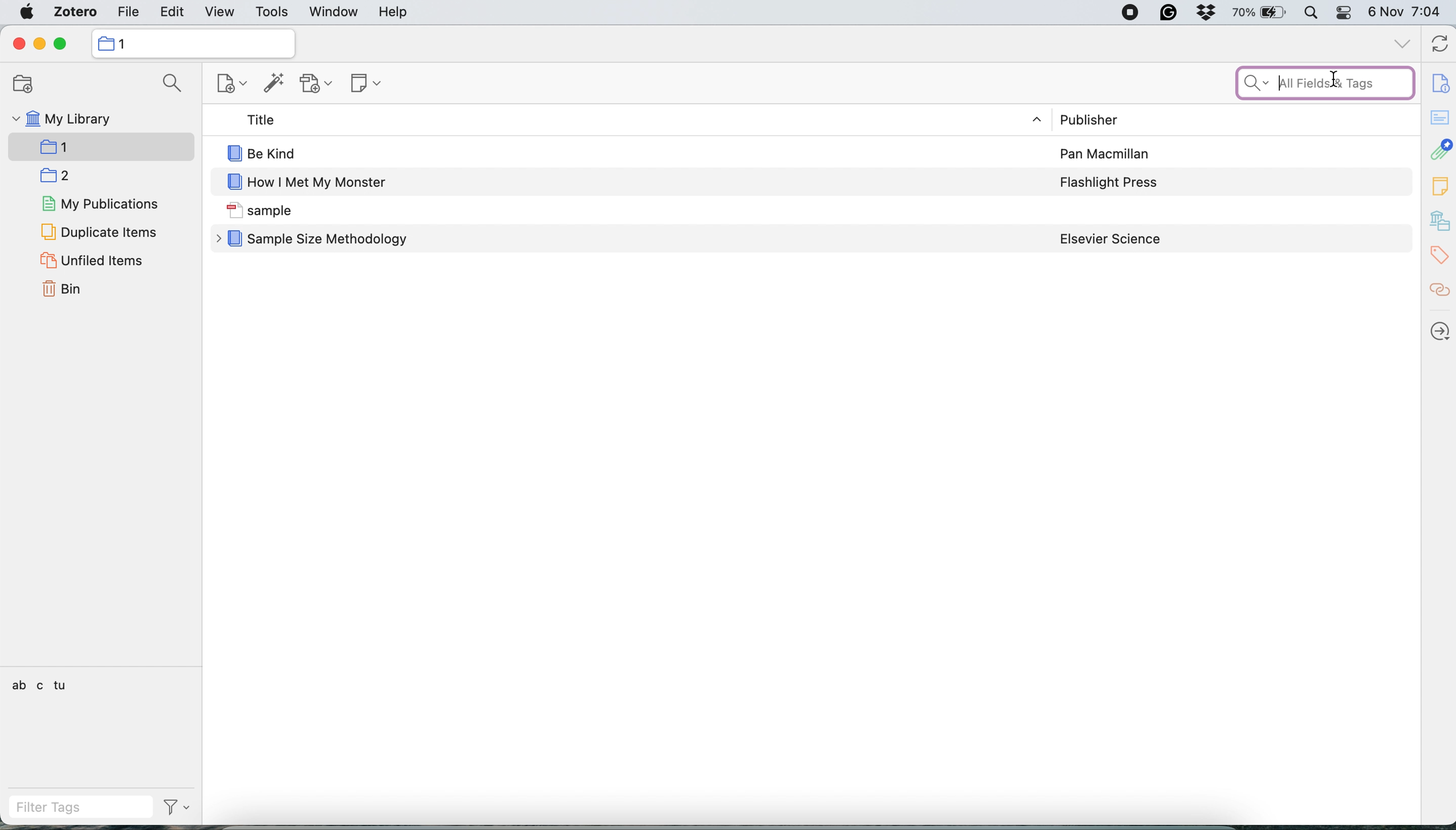 This screenshot has width=1456, height=830. What do you see at coordinates (1438, 256) in the screenshot?
I see `tags` at bounding box center [1438, 256].